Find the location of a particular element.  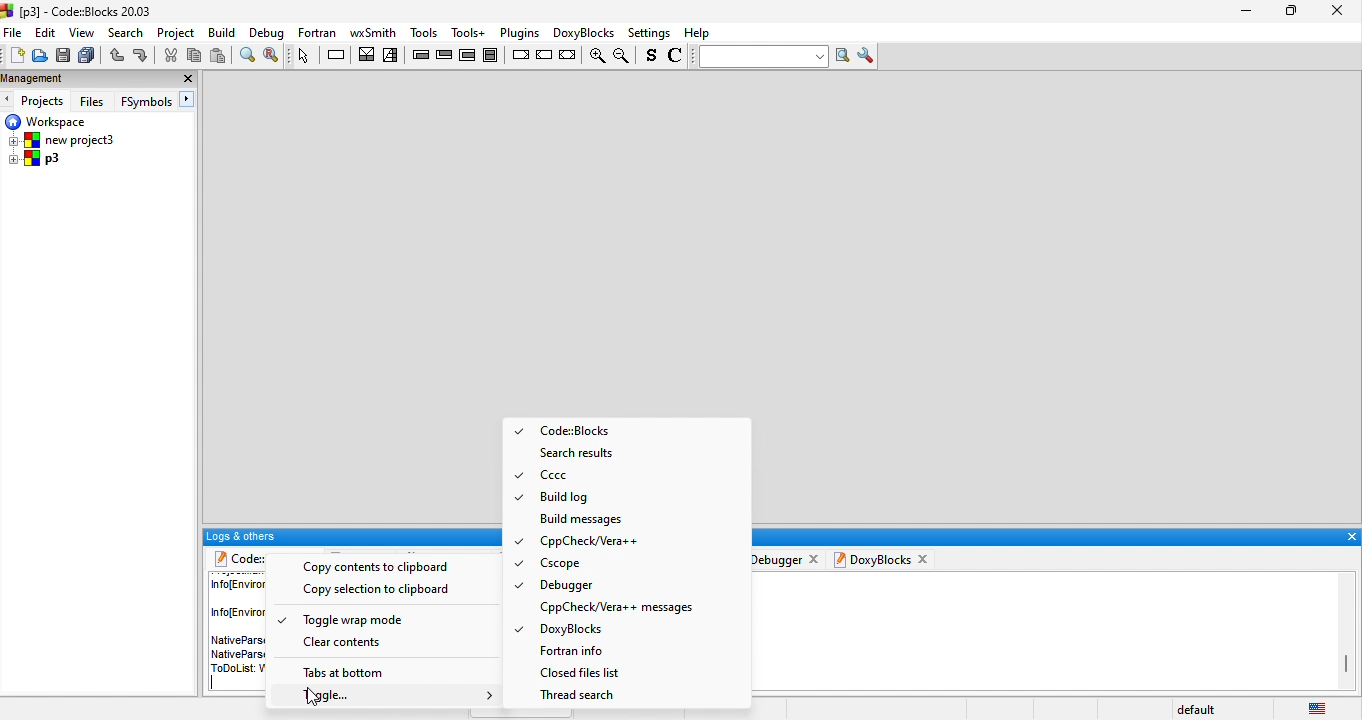

copy is located at coordinates (194, 56).